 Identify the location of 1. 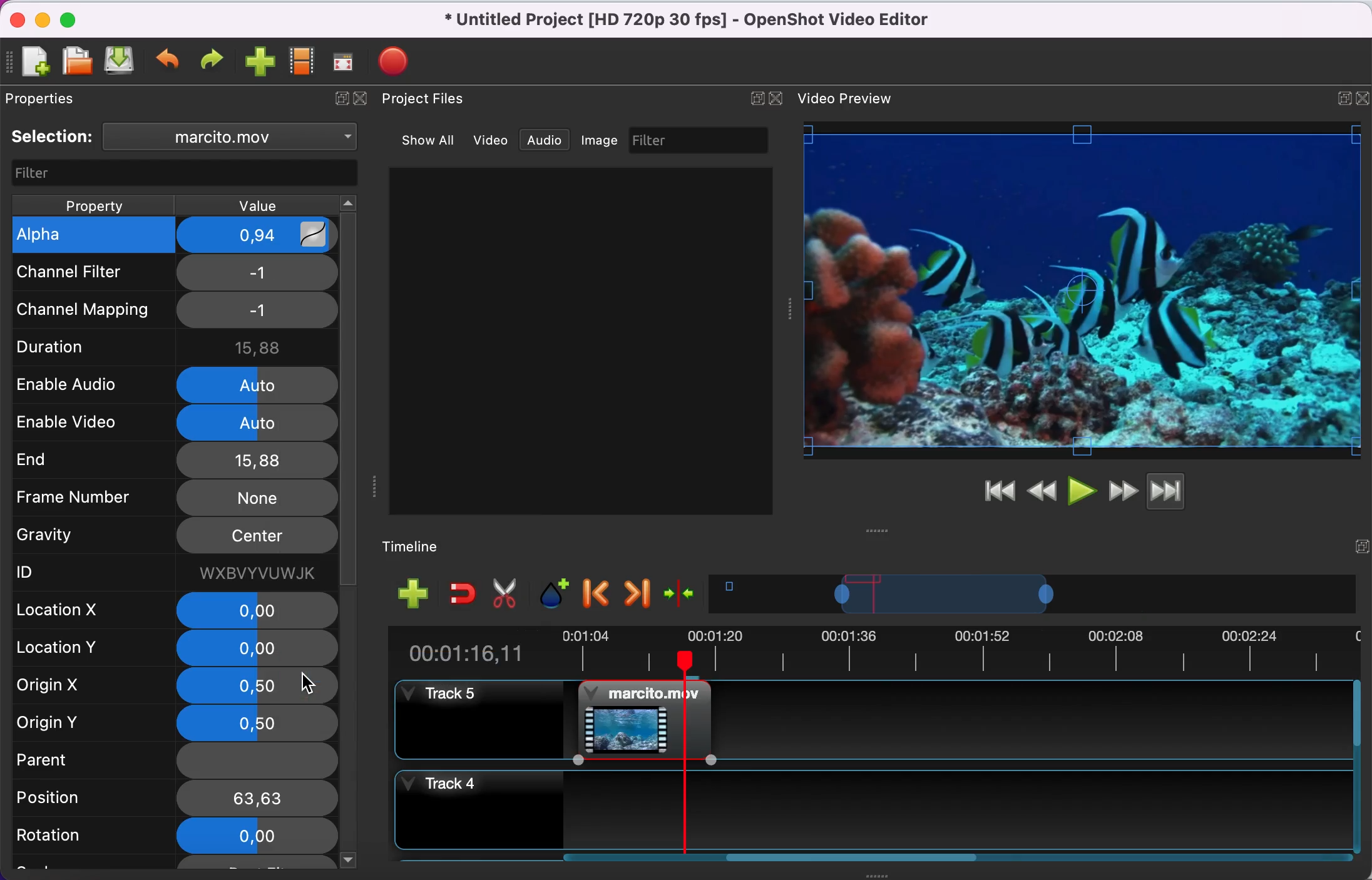
(264, 310).